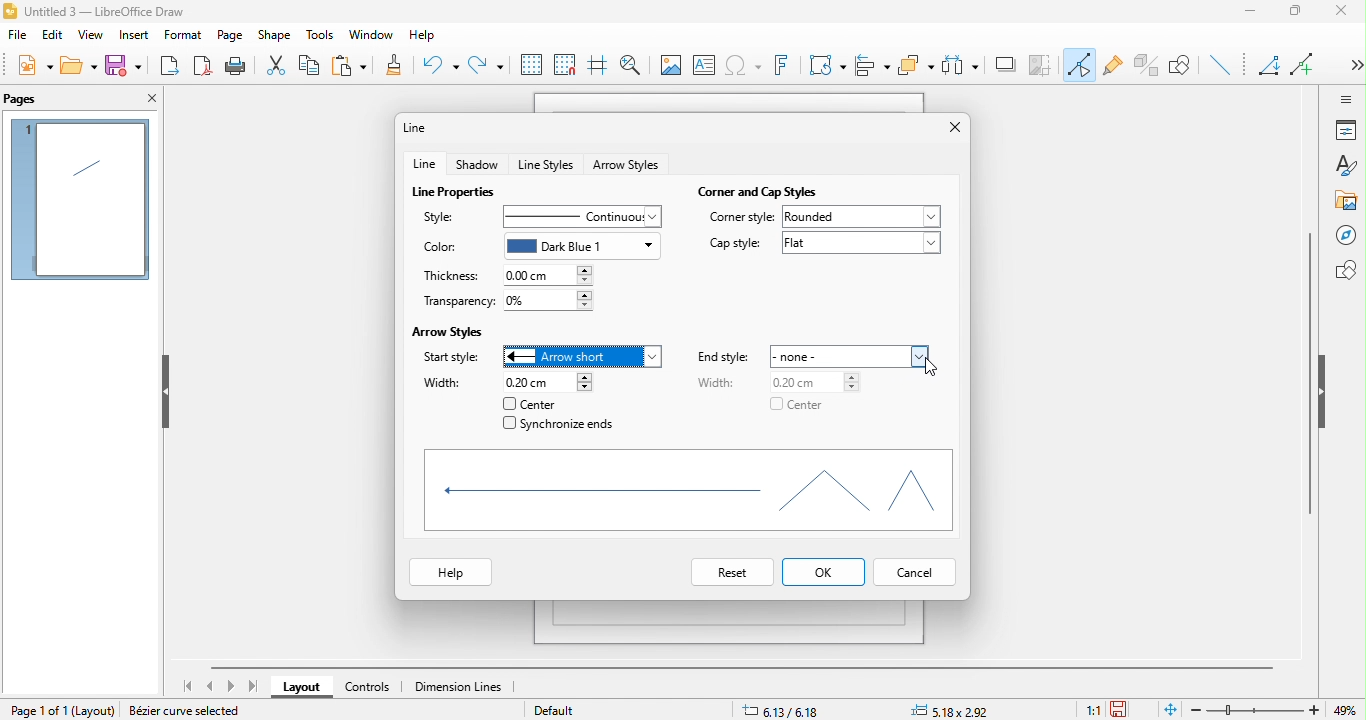  What do you see at coordinates (533, 405) in the screenshot?
I see `center` at bounding box center [533, 405].